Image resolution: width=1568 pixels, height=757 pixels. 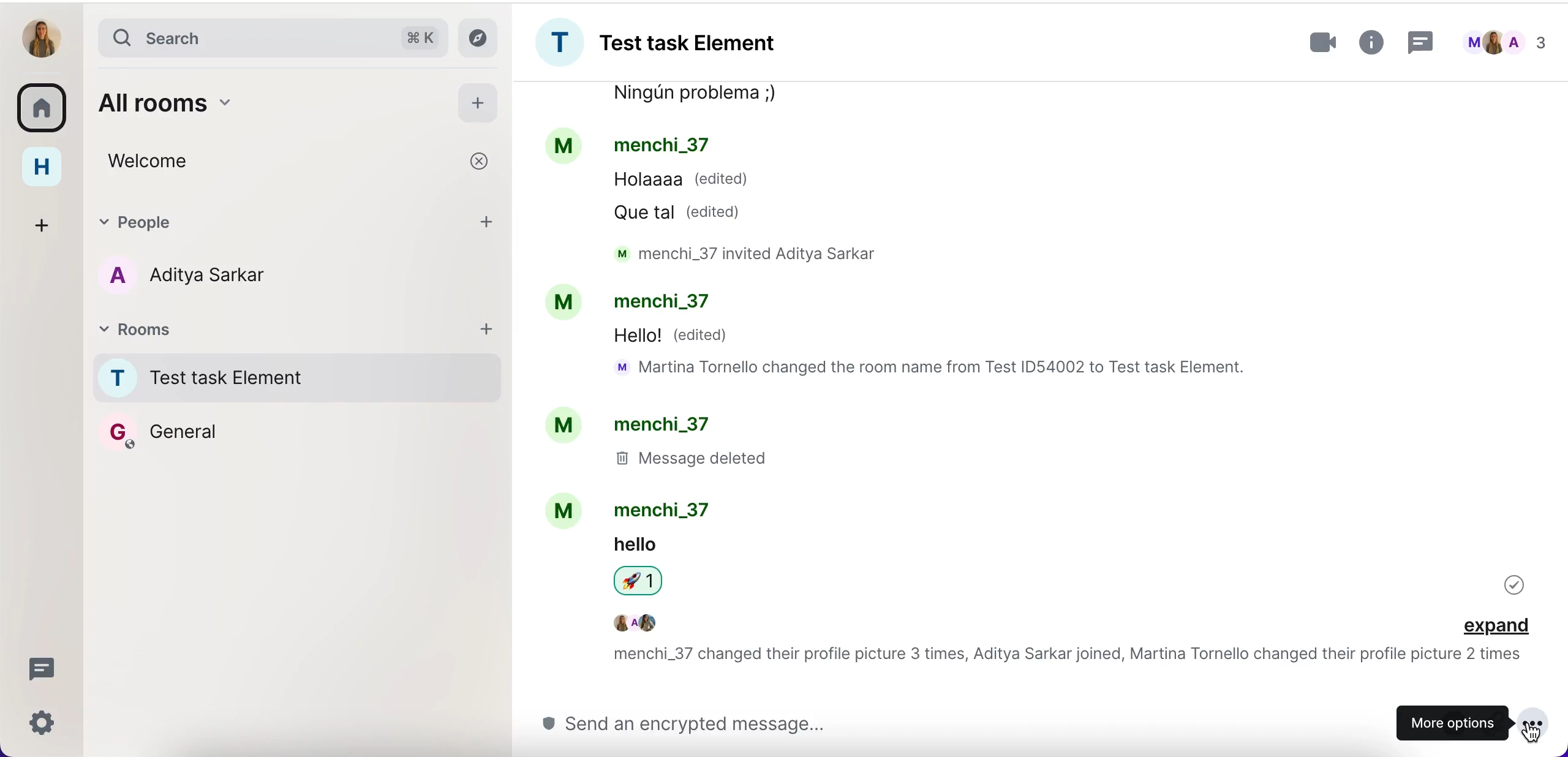 What do you see at coordinates (697, 43) in the screenshot?
I see `room group` at bounding box center [697, 43].